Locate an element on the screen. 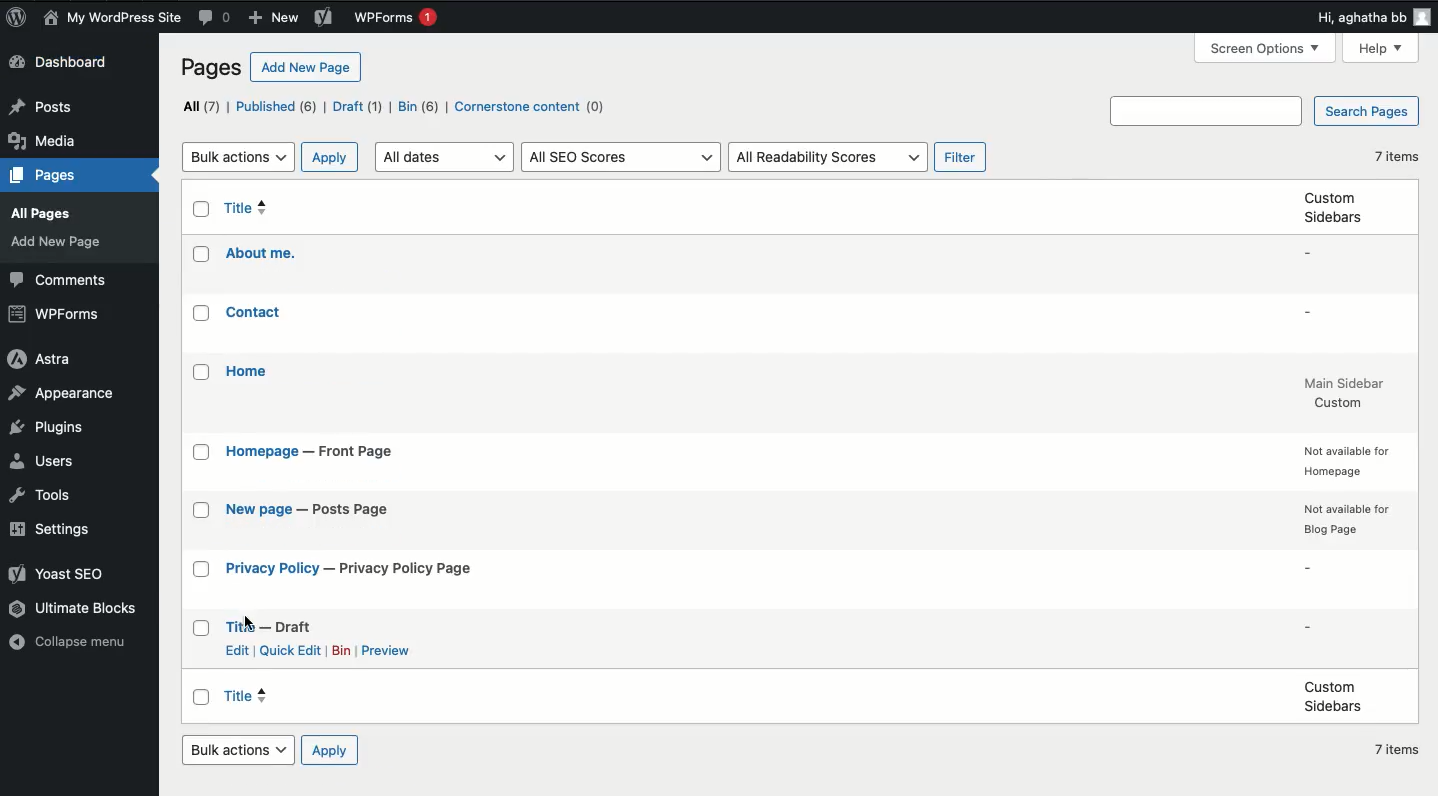 This screenshot has width=1438, height=796. All is located at coordinates (204, 106).